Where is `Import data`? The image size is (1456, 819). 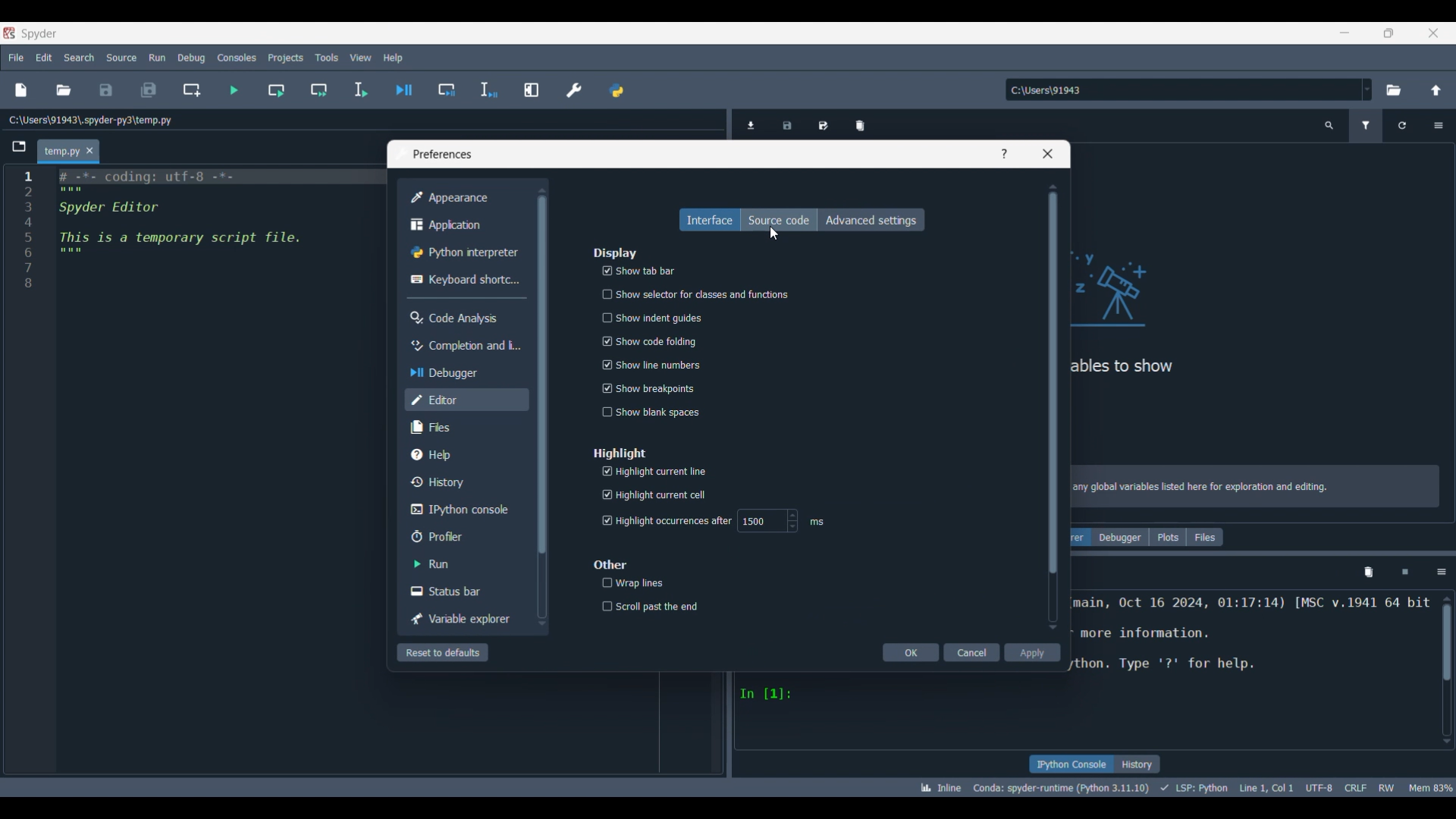 Import data is located at coordinates (751, 124).